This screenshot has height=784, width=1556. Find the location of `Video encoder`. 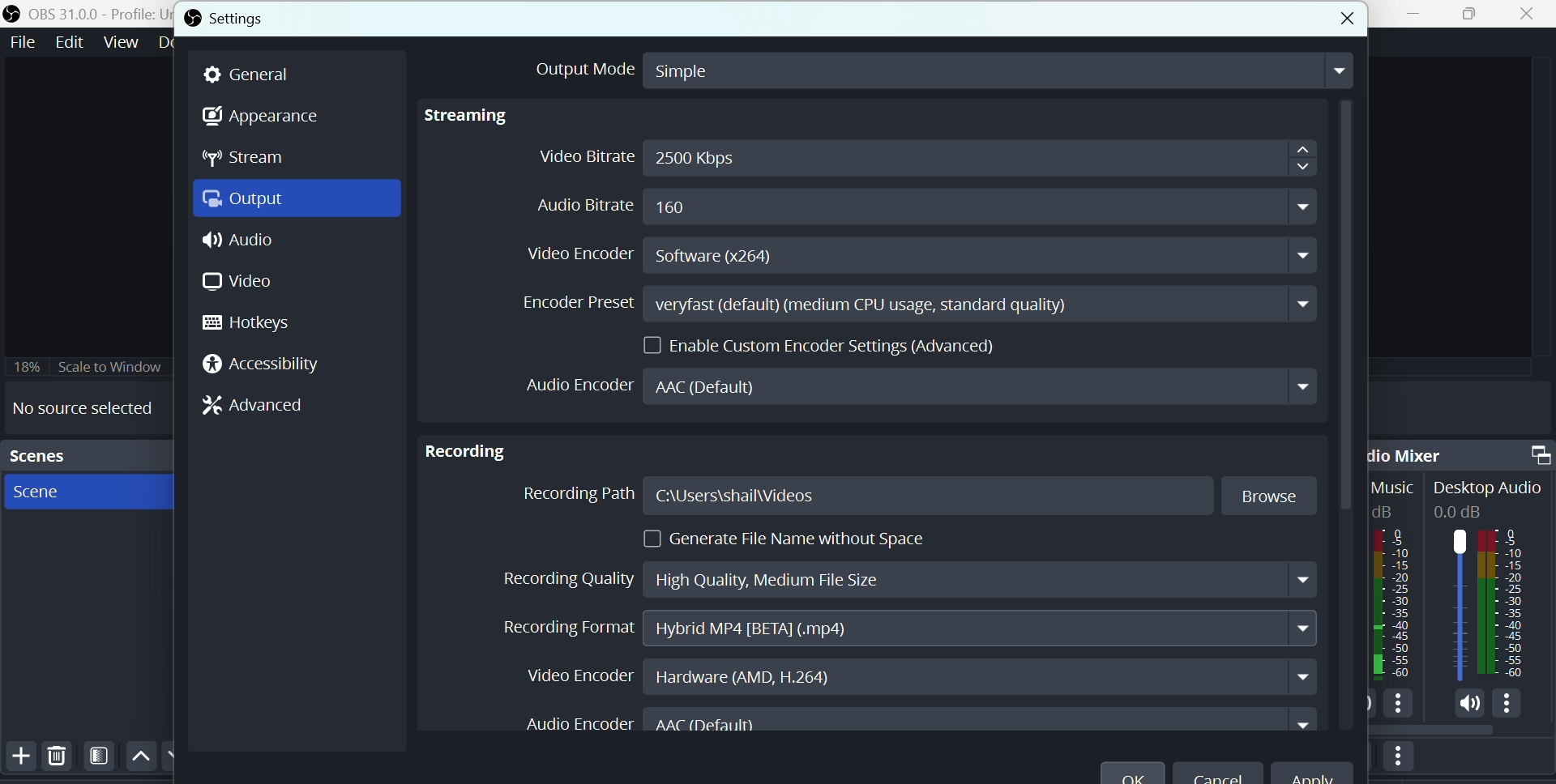

Video encoder is located at coordinates (927, 252).